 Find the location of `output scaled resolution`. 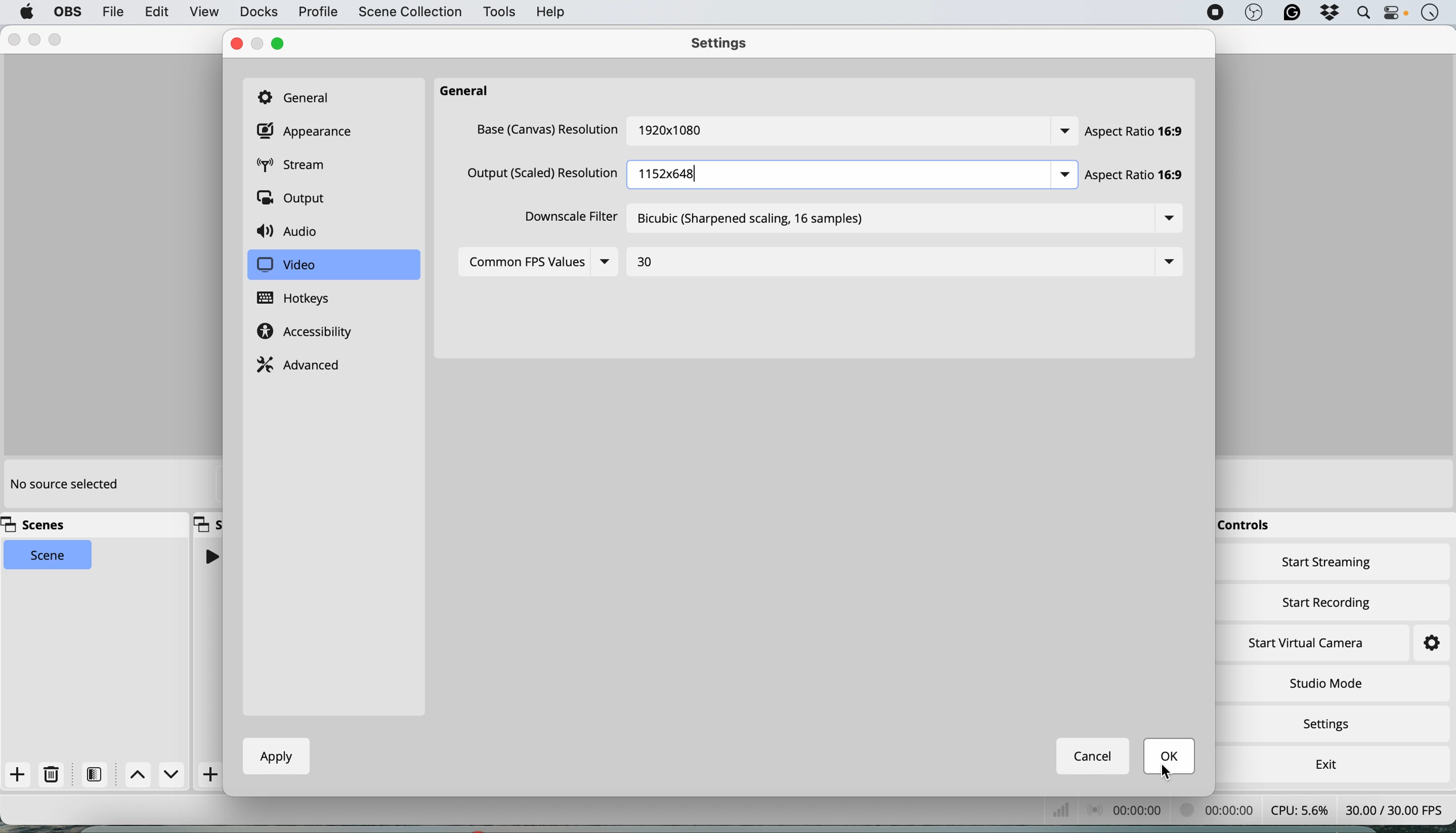

output scaled resolution is located at coordinates (544, 173).